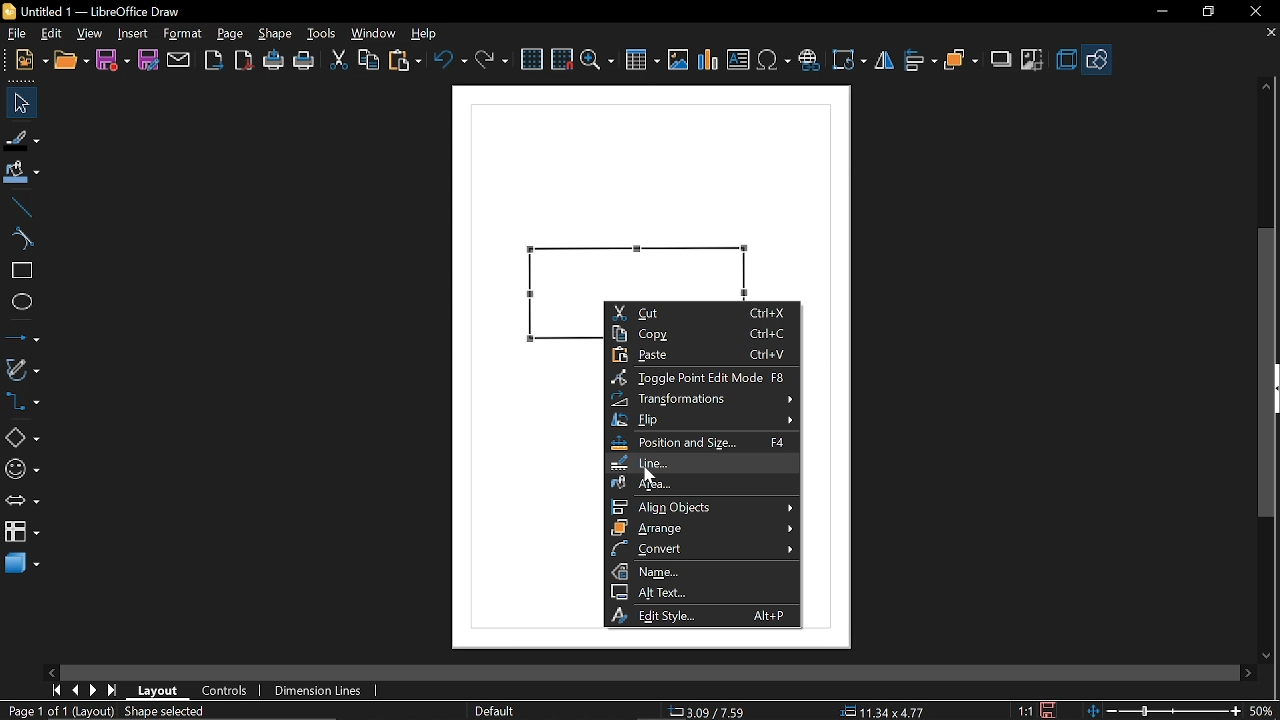 Image resolution: width=1280 pixels, height=720 pixels. What do you see at coordinates (54, 670) in the screenshot?
I see `Move left` at bounding box center [54, 670].